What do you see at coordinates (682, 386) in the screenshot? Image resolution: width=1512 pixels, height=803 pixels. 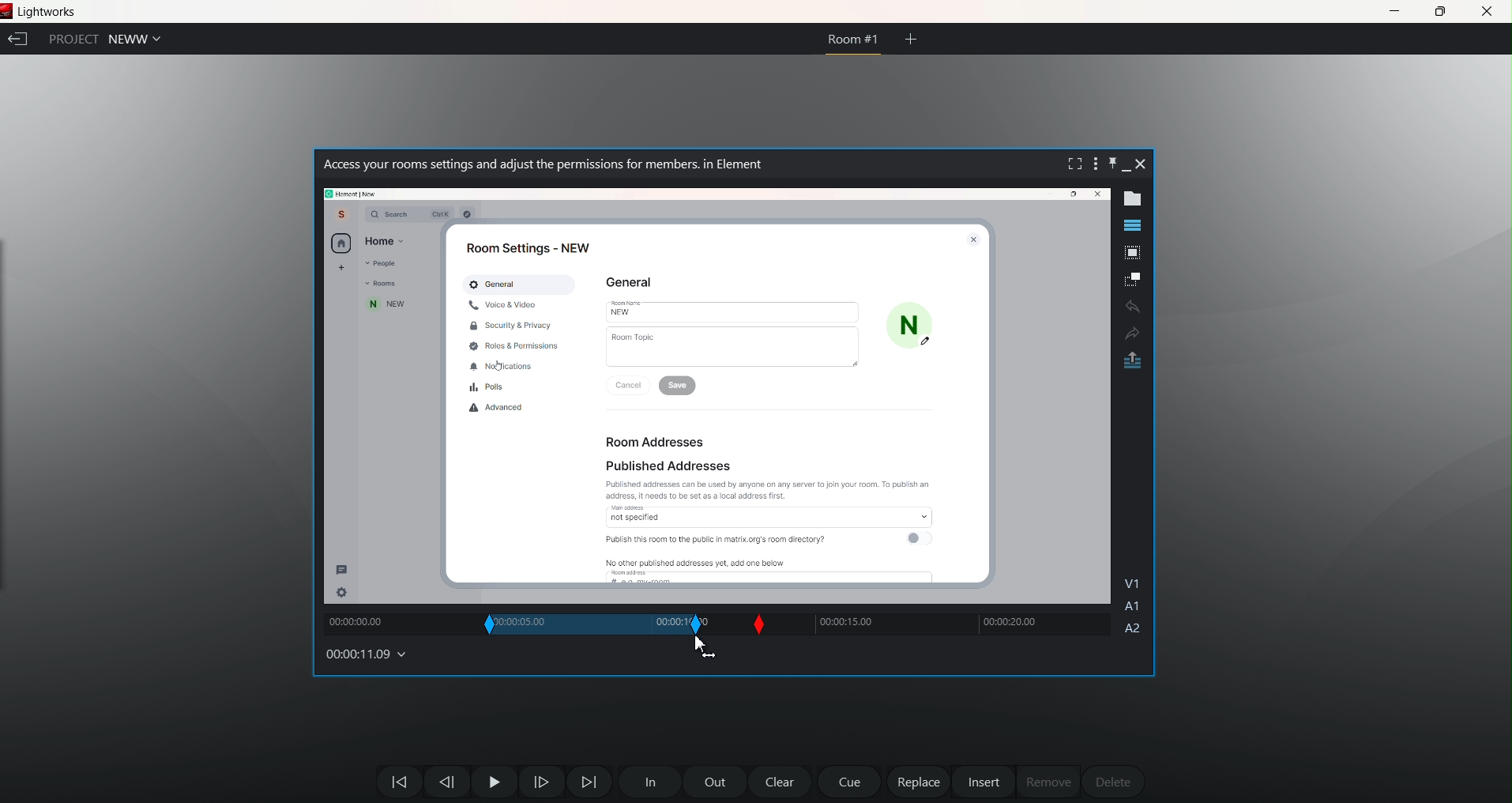 I see `save` at bounding box center [682, 386].